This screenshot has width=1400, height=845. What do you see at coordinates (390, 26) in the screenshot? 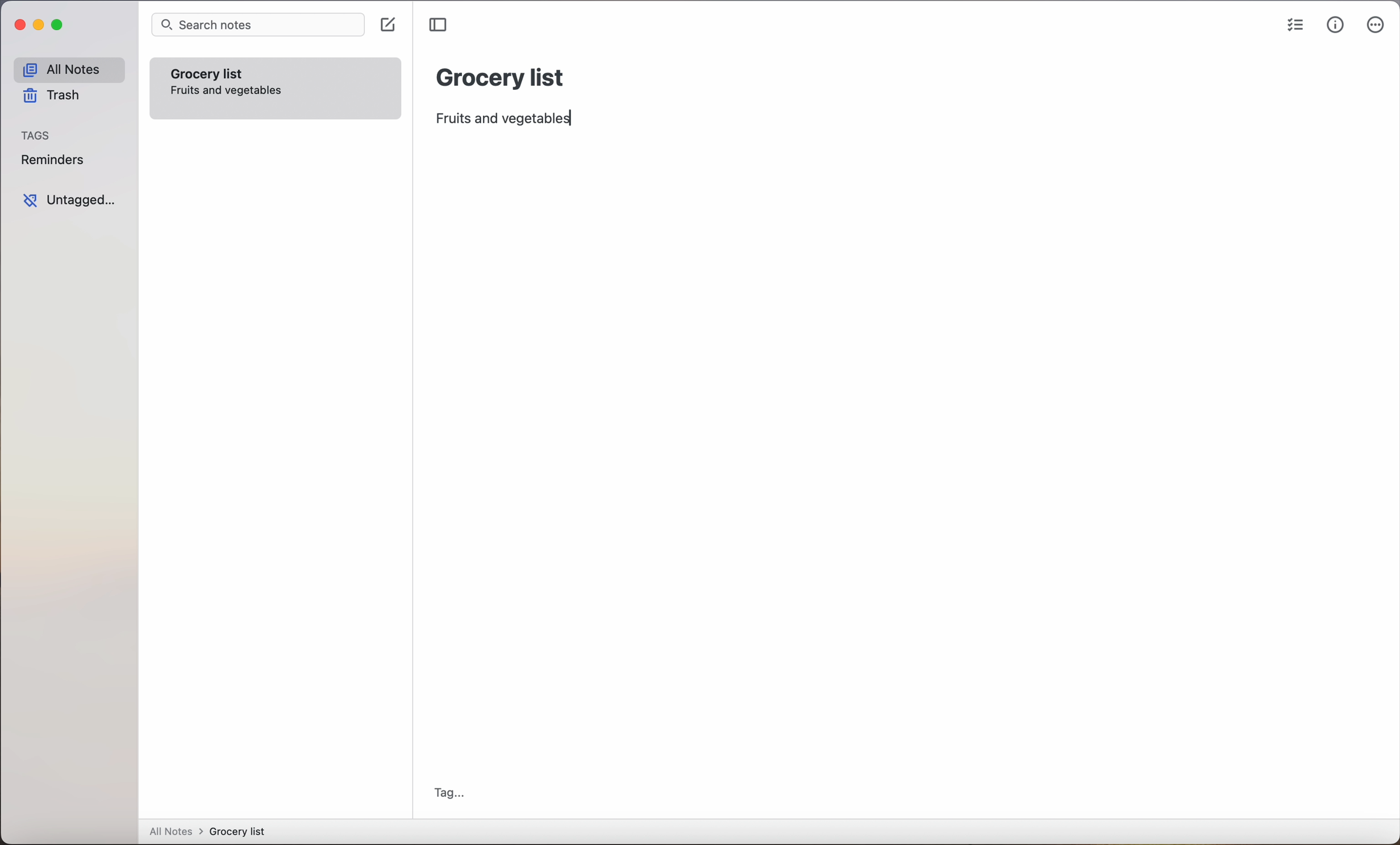
I see `click on create note` at bounding box center [390, 26].